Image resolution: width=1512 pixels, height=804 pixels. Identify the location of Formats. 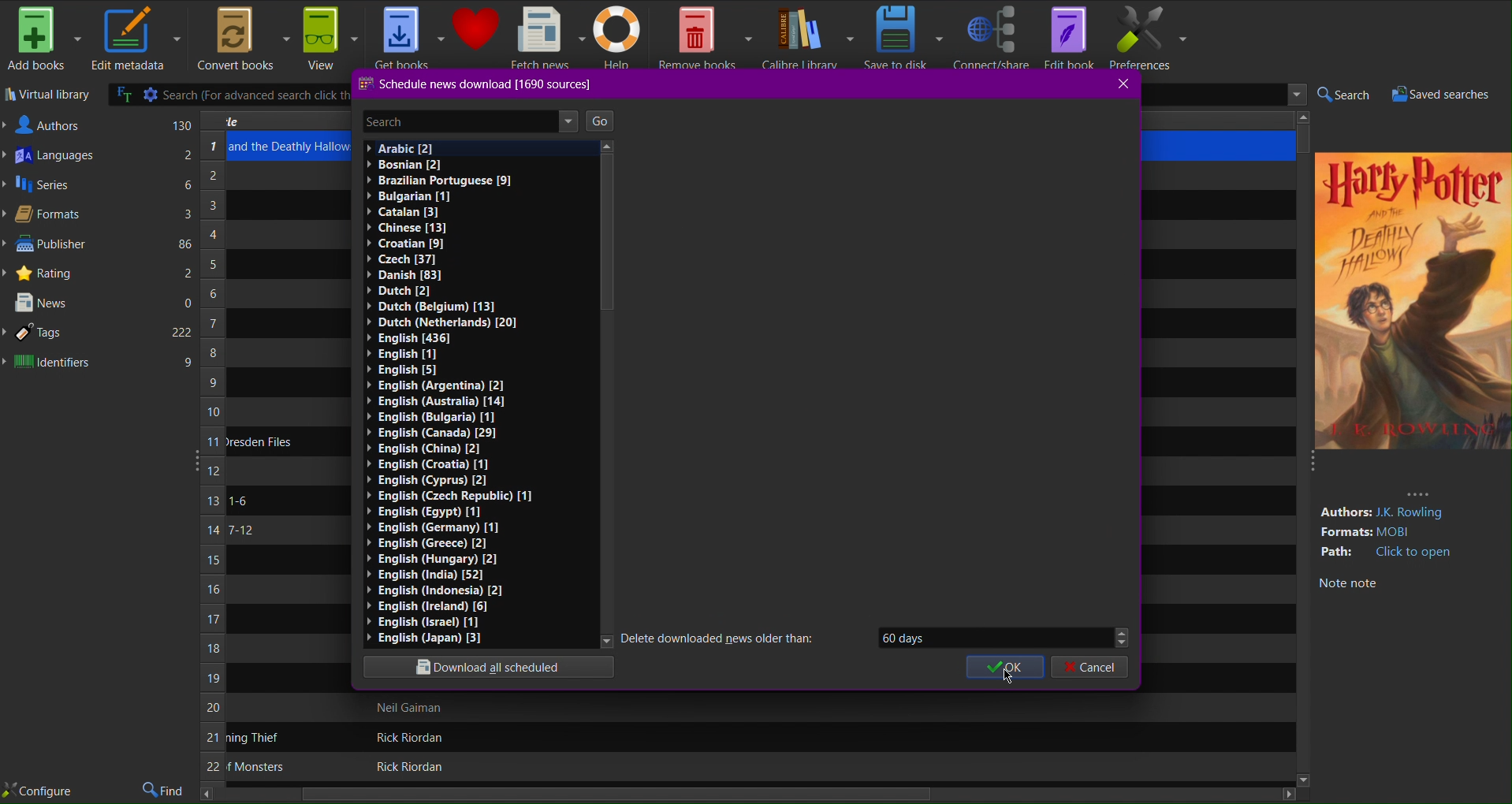
(99, 216).